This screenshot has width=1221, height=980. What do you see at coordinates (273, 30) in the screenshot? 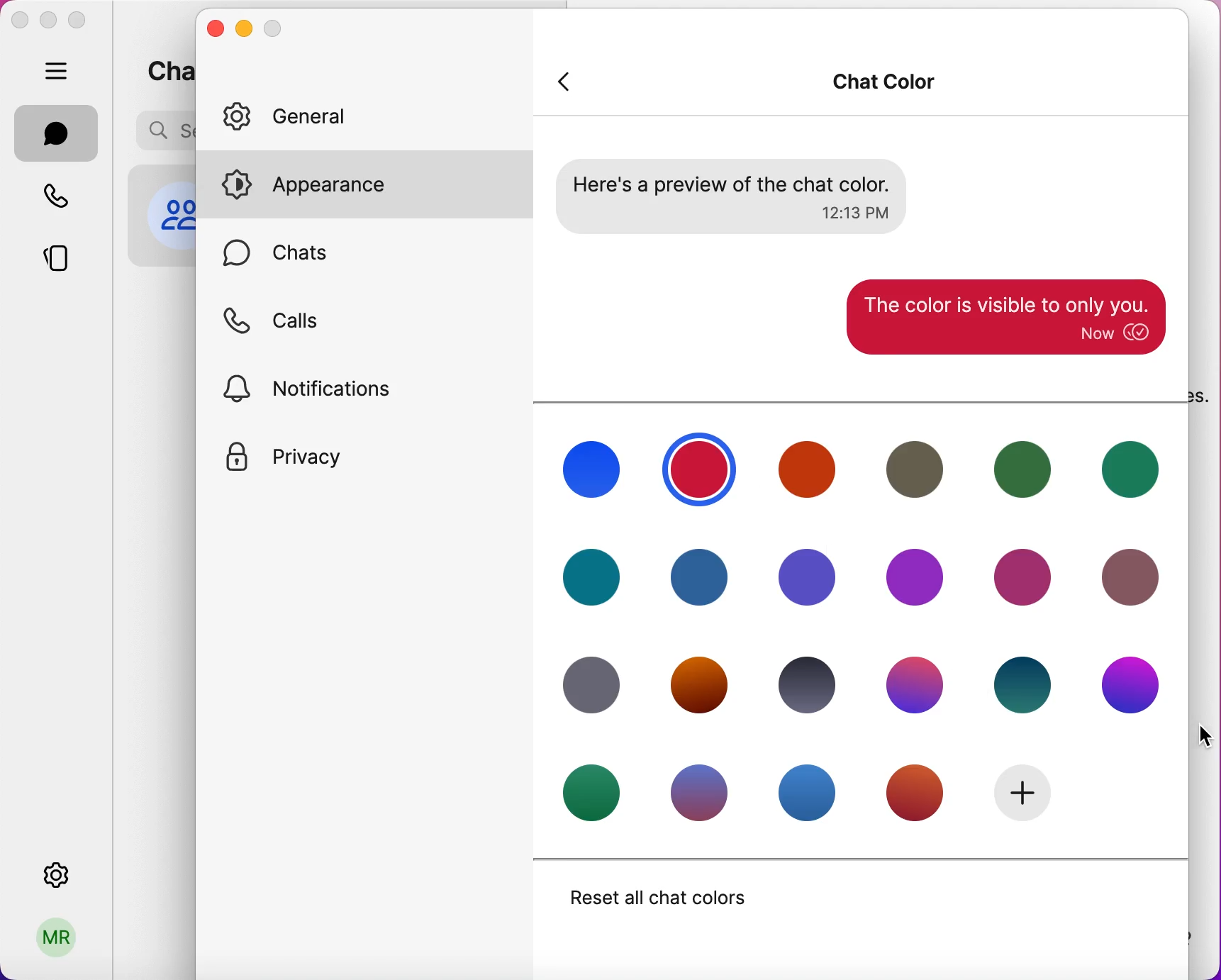
I see `maximize` at bounding box center [273, 30].